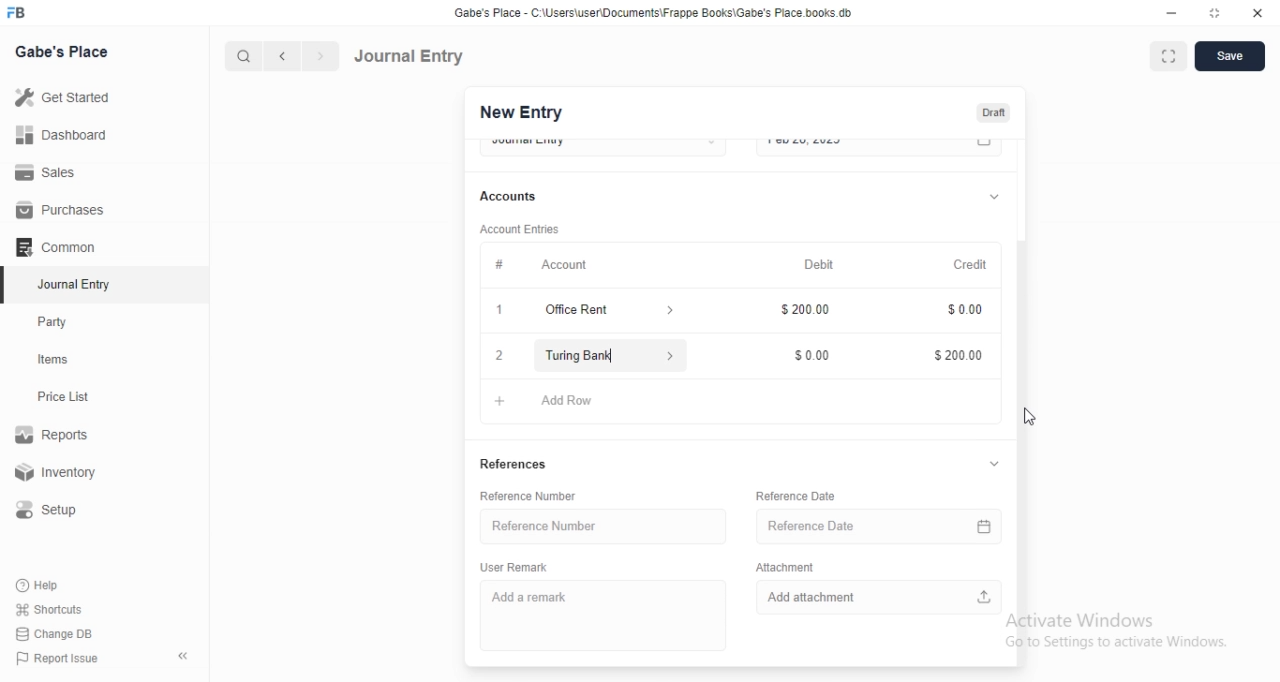 This screenshot has height=682, width=1280. What do you see at coordinates (1258, 11) in the screenshot?
I see `close` at bounding box center [1258, 11].